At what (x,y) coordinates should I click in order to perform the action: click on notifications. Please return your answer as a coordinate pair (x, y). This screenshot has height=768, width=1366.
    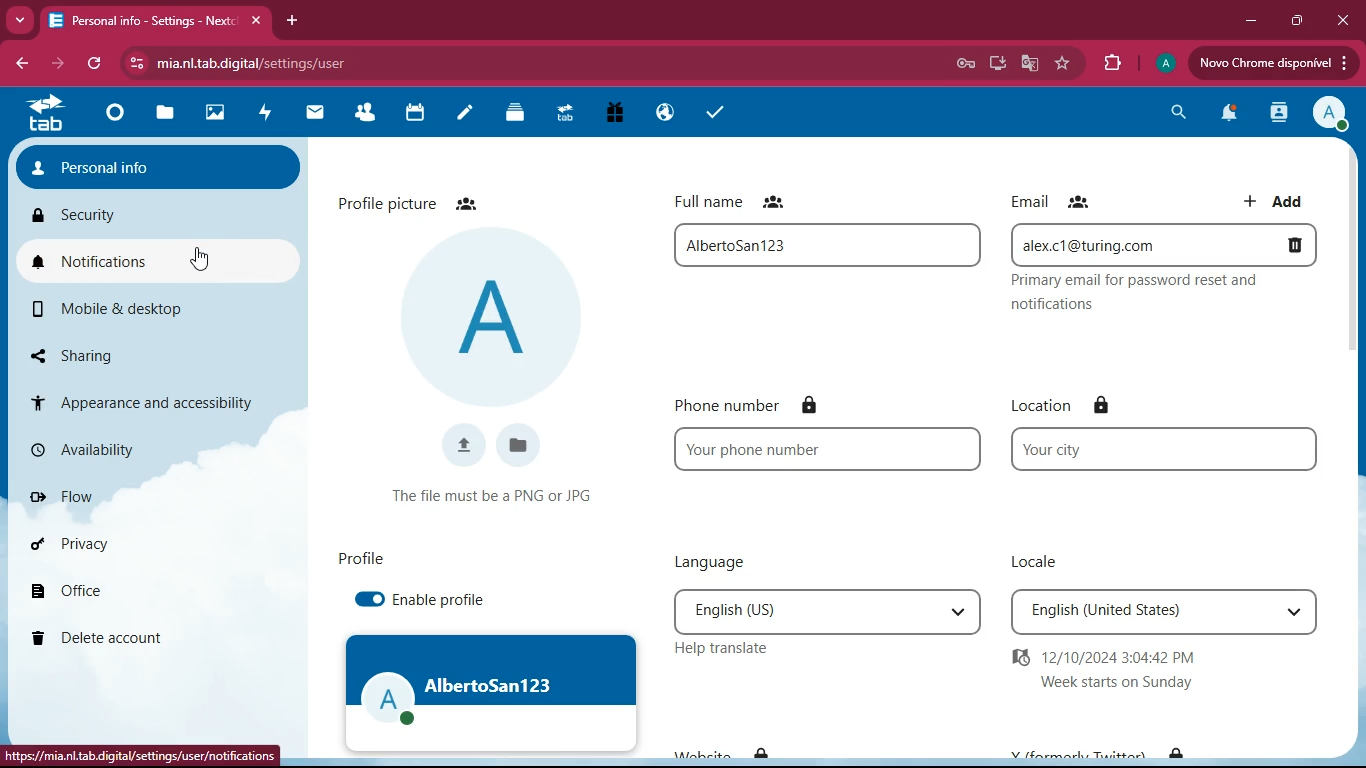
    Looking at the image, I should click on (1229, 115).